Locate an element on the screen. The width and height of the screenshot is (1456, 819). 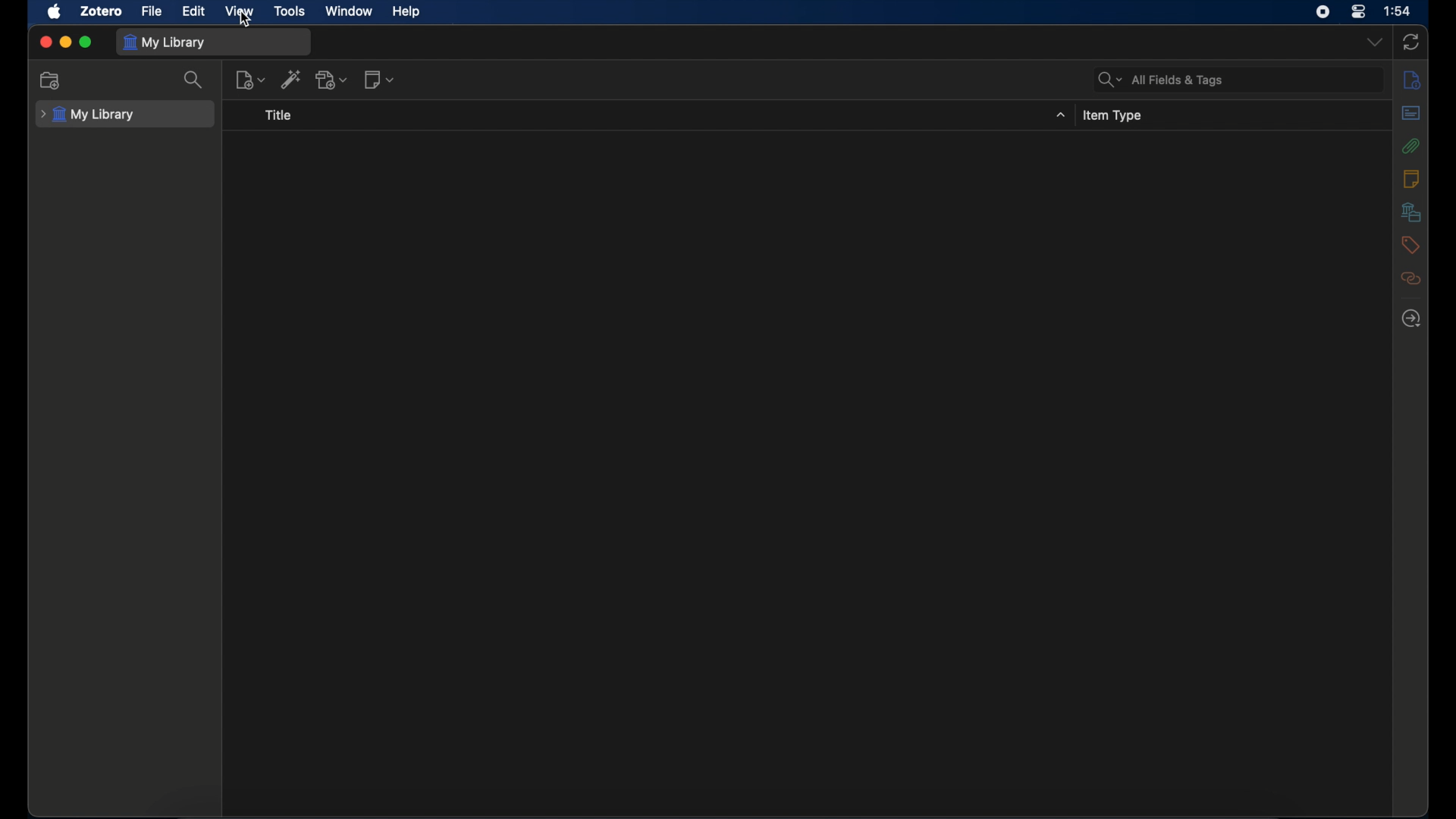
file is located at coordinates (152, 11).